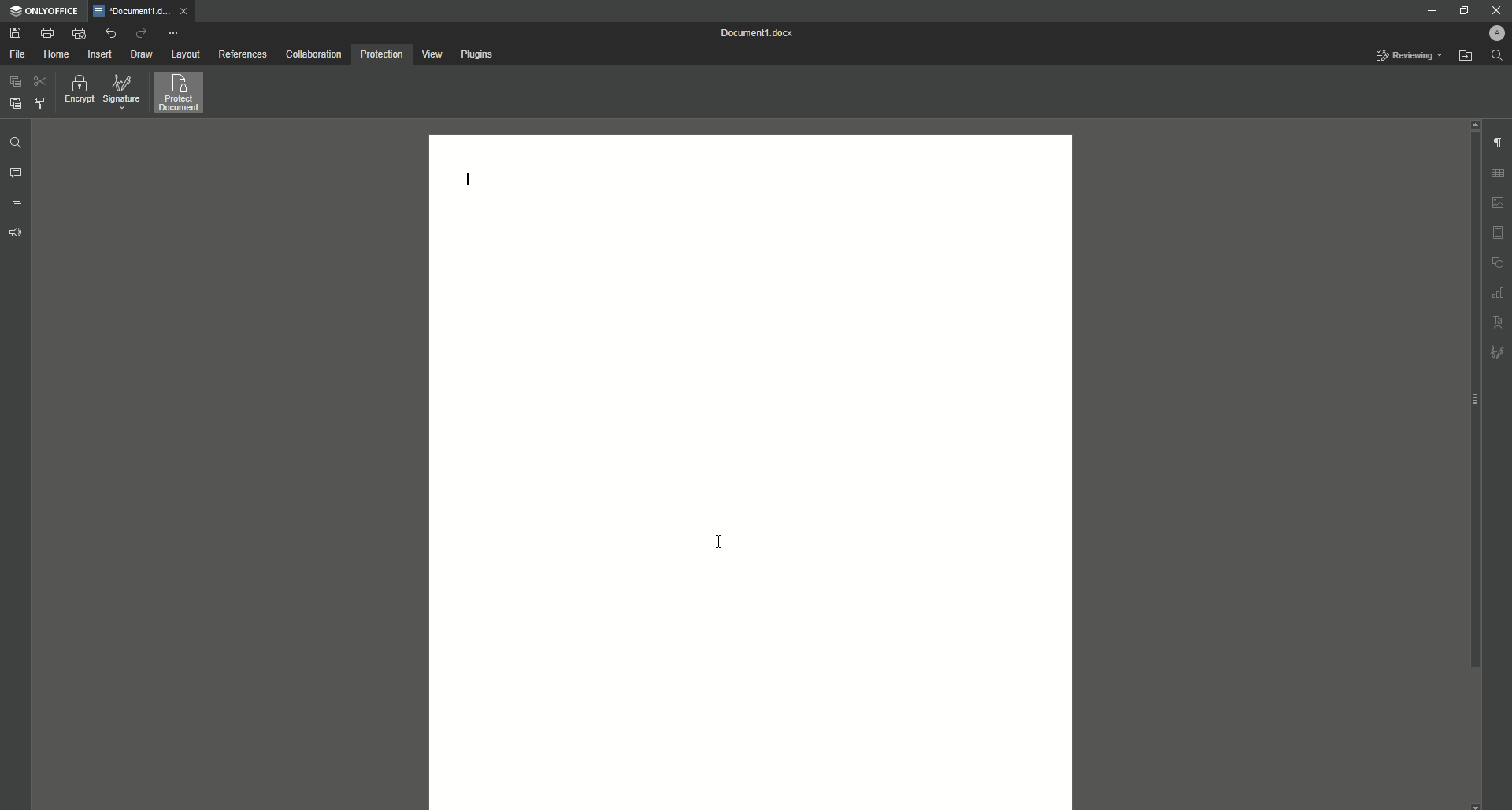  I want to click on Profile, so click(1492, 33).